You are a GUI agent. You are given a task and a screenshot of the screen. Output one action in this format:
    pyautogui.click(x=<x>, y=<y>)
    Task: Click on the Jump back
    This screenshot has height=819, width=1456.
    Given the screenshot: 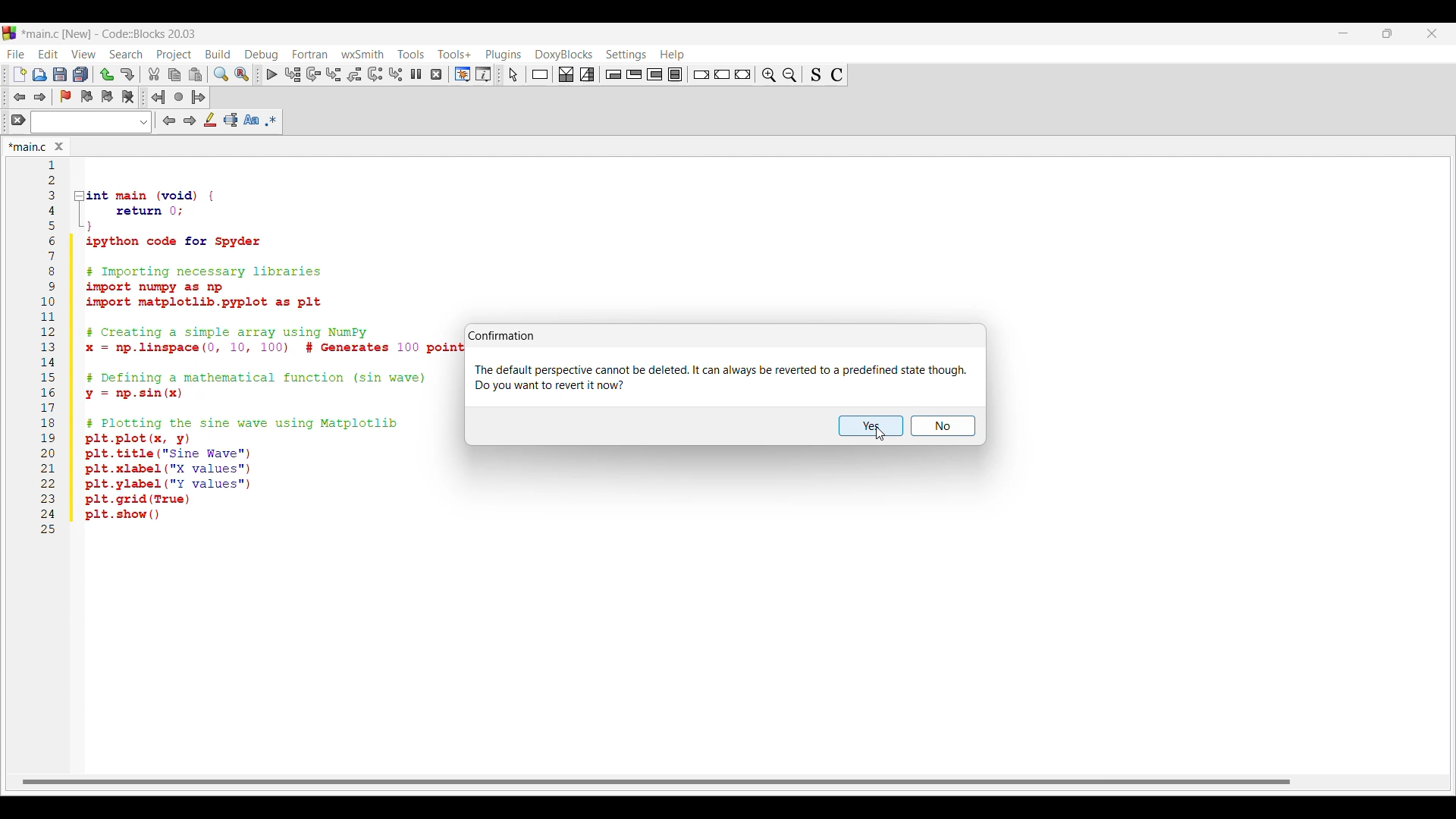 What is the action you would take?
    pyautogui.click(x=18, y=97)
    